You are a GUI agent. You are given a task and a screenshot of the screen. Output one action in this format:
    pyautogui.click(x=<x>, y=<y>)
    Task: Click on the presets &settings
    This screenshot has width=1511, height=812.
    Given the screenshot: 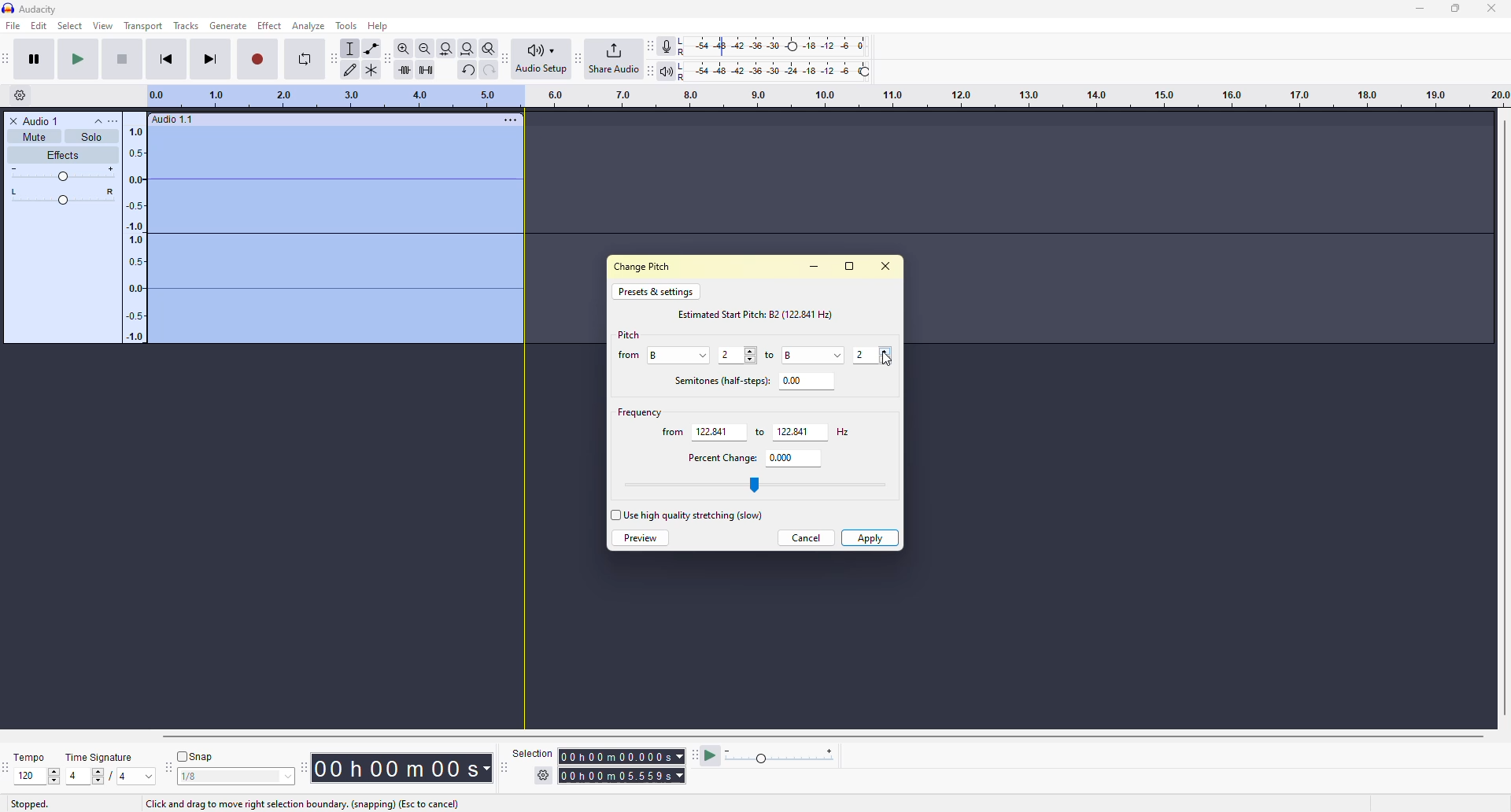 What is the action you would take?
    pyautogui.click(x=655, y=291)
    